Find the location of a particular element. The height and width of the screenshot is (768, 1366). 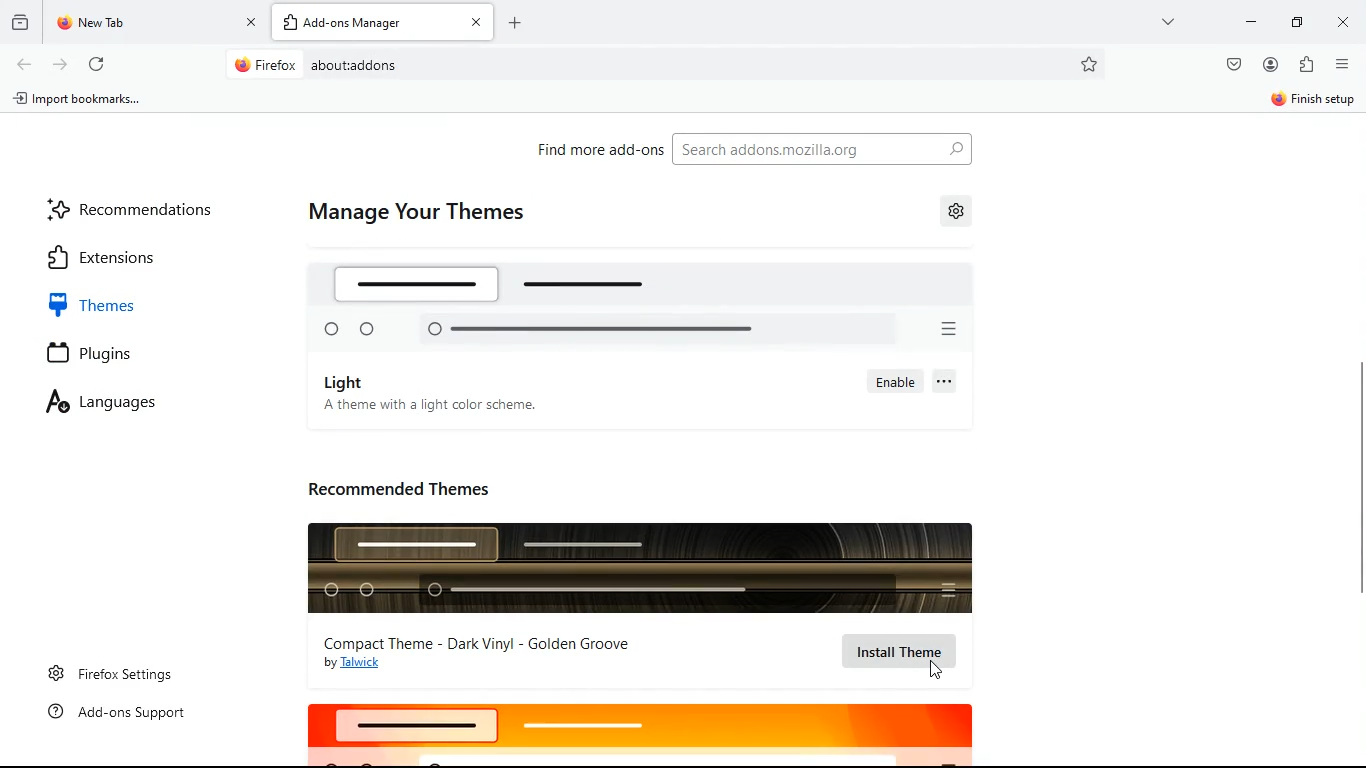

by Talwick is located at coordinates (359, 664).